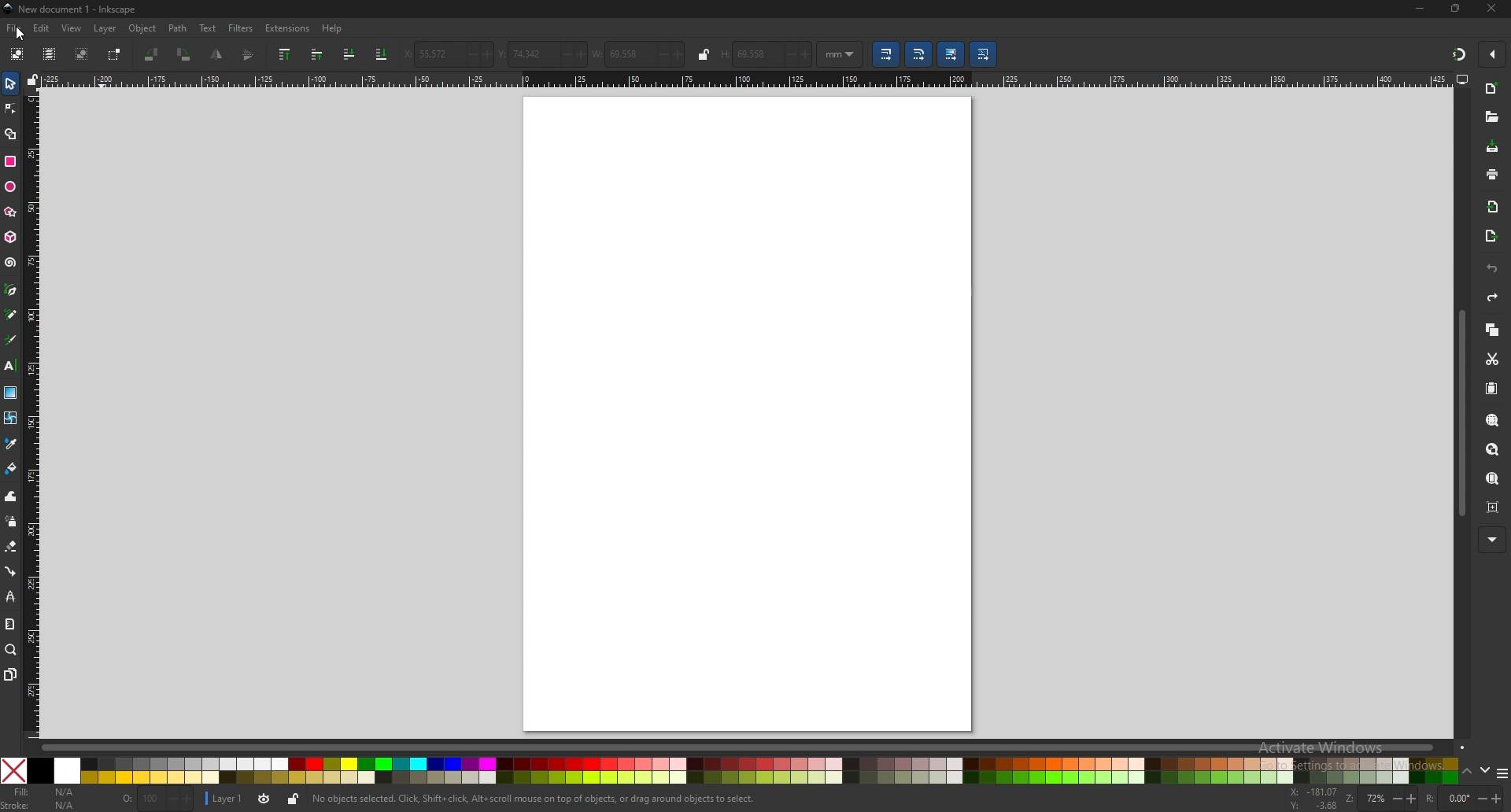  I want to click on mm, so click(830, 54).